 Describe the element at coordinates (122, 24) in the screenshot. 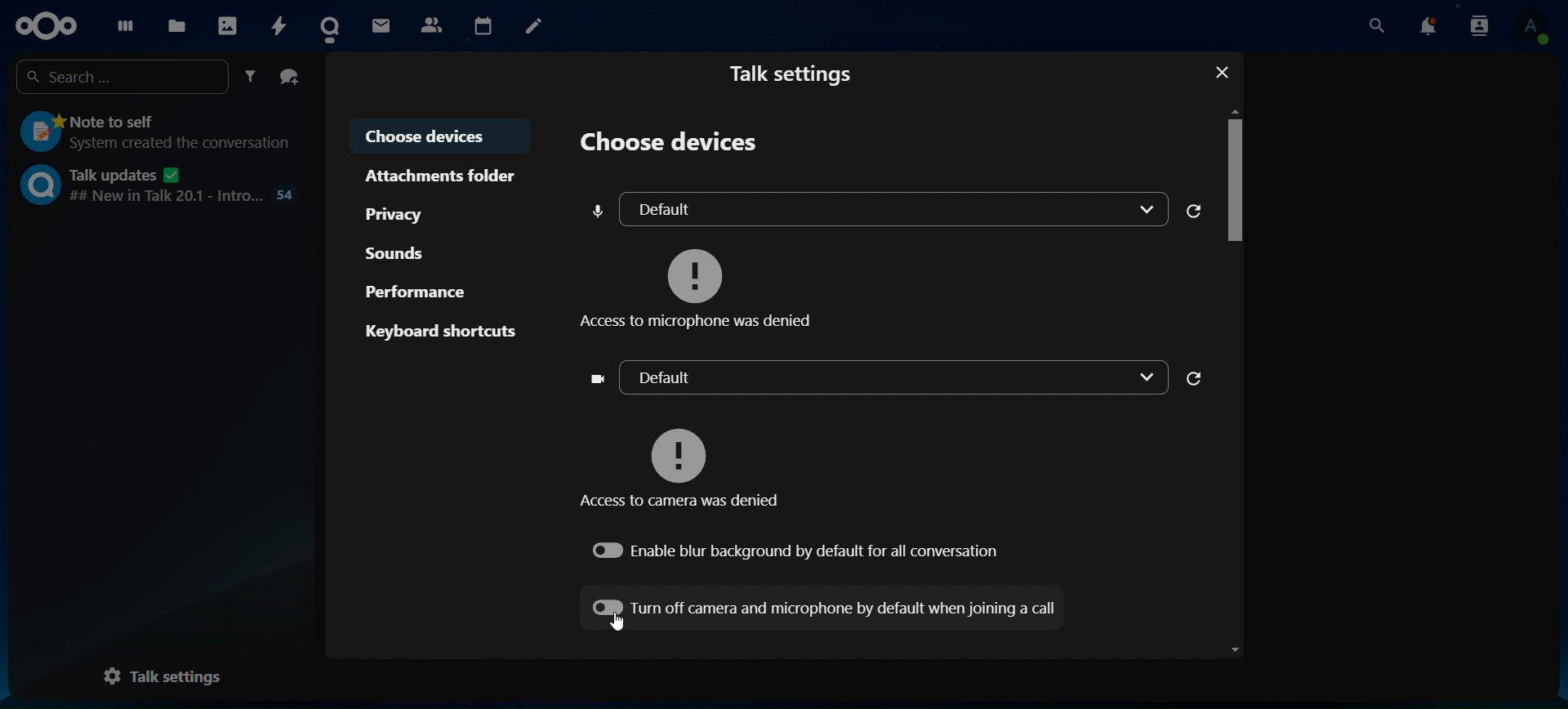

I see `dashboard` at that location.